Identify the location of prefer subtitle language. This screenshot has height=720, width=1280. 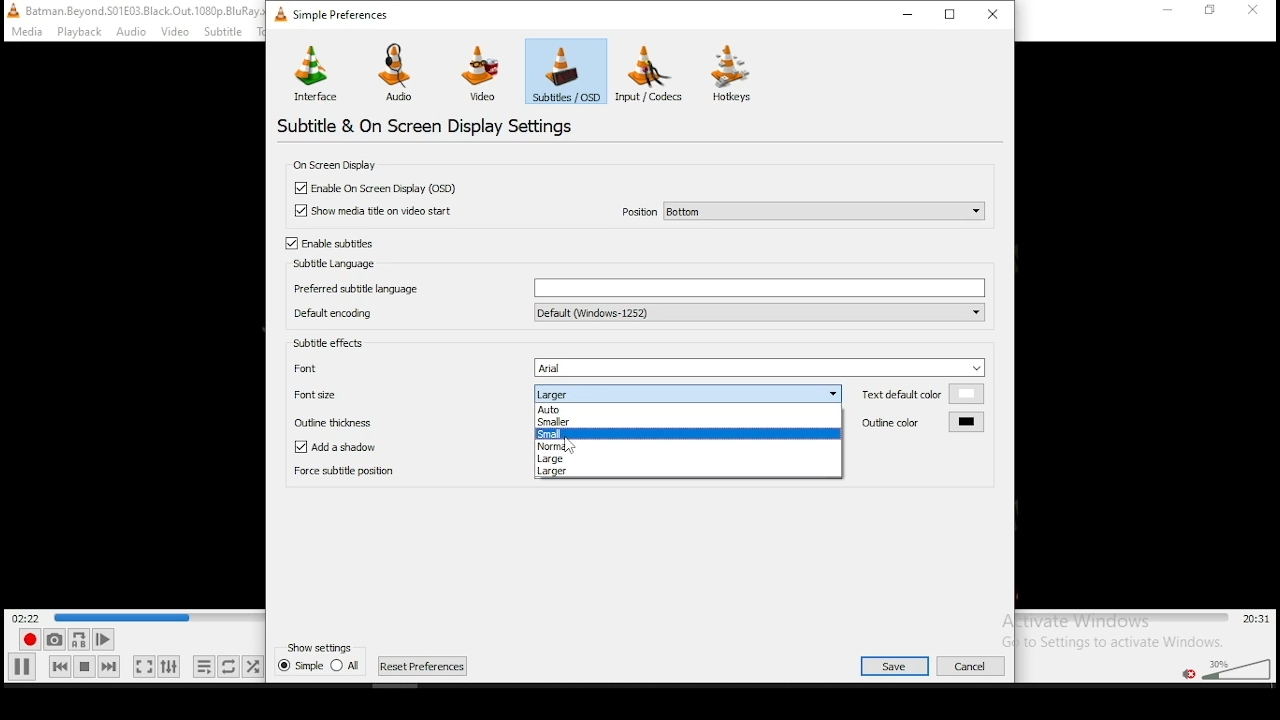
(637, 286).